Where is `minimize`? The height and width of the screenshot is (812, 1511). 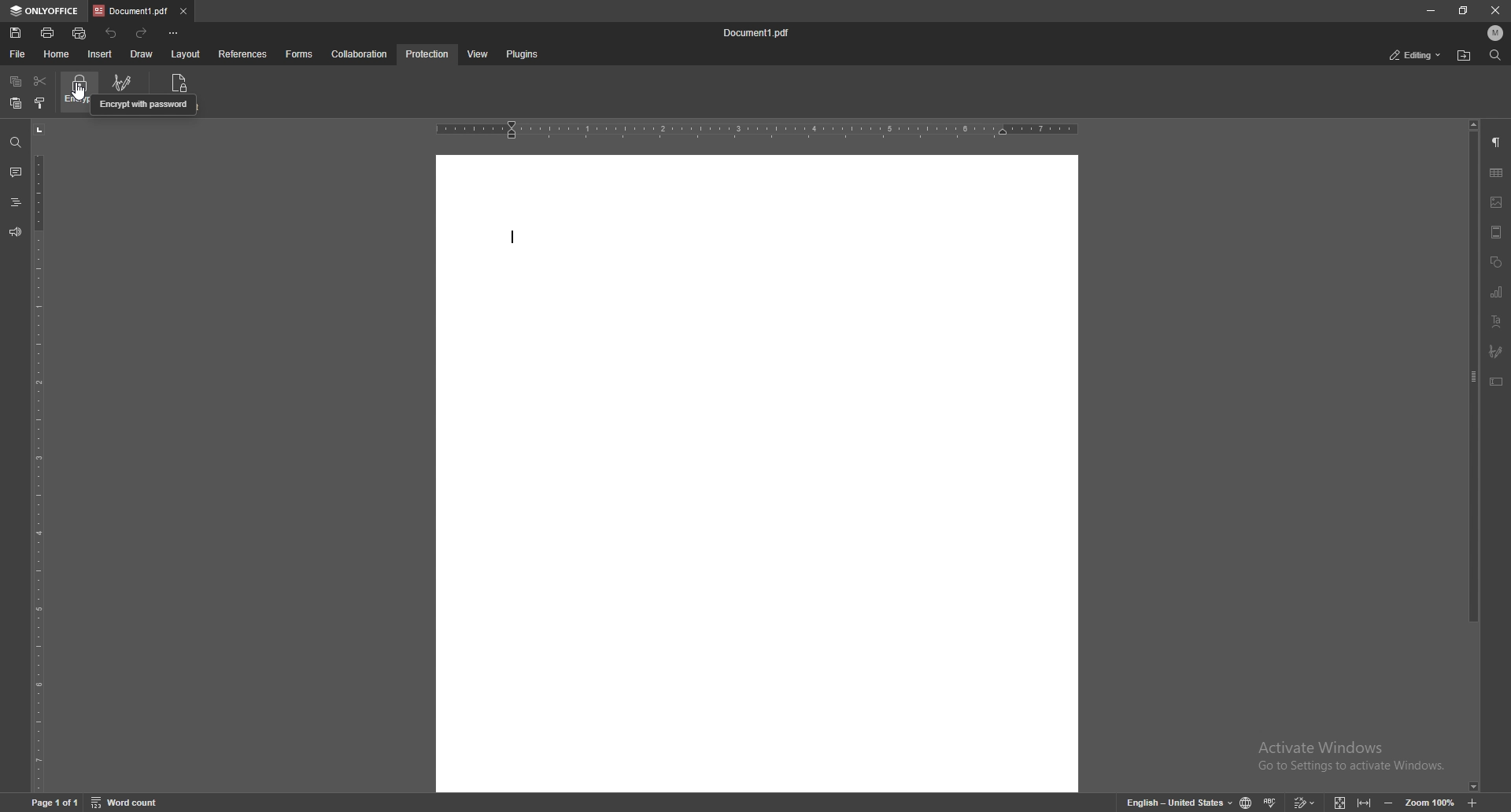
minimize is located at coordinates (1430, 10).